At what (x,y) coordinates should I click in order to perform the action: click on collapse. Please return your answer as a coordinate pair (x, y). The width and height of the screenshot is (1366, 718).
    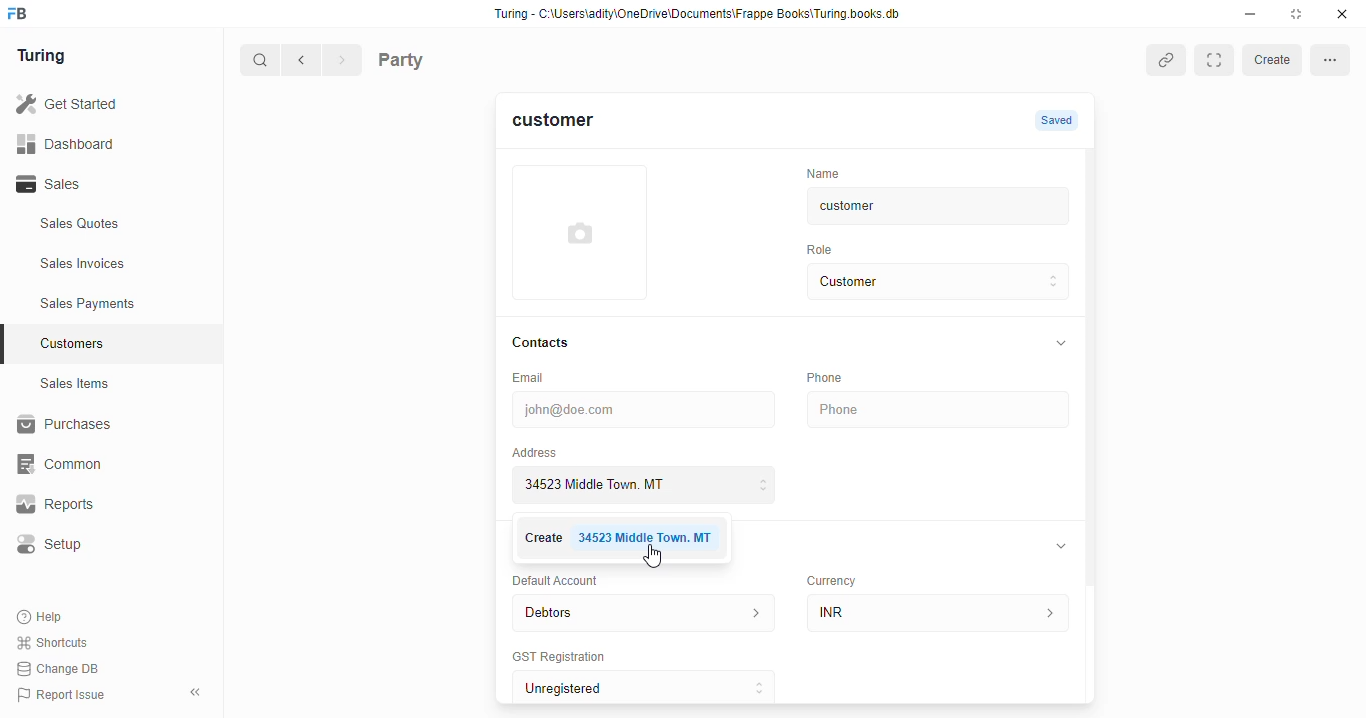
    Looking at the image, I should click on (1059, 344).